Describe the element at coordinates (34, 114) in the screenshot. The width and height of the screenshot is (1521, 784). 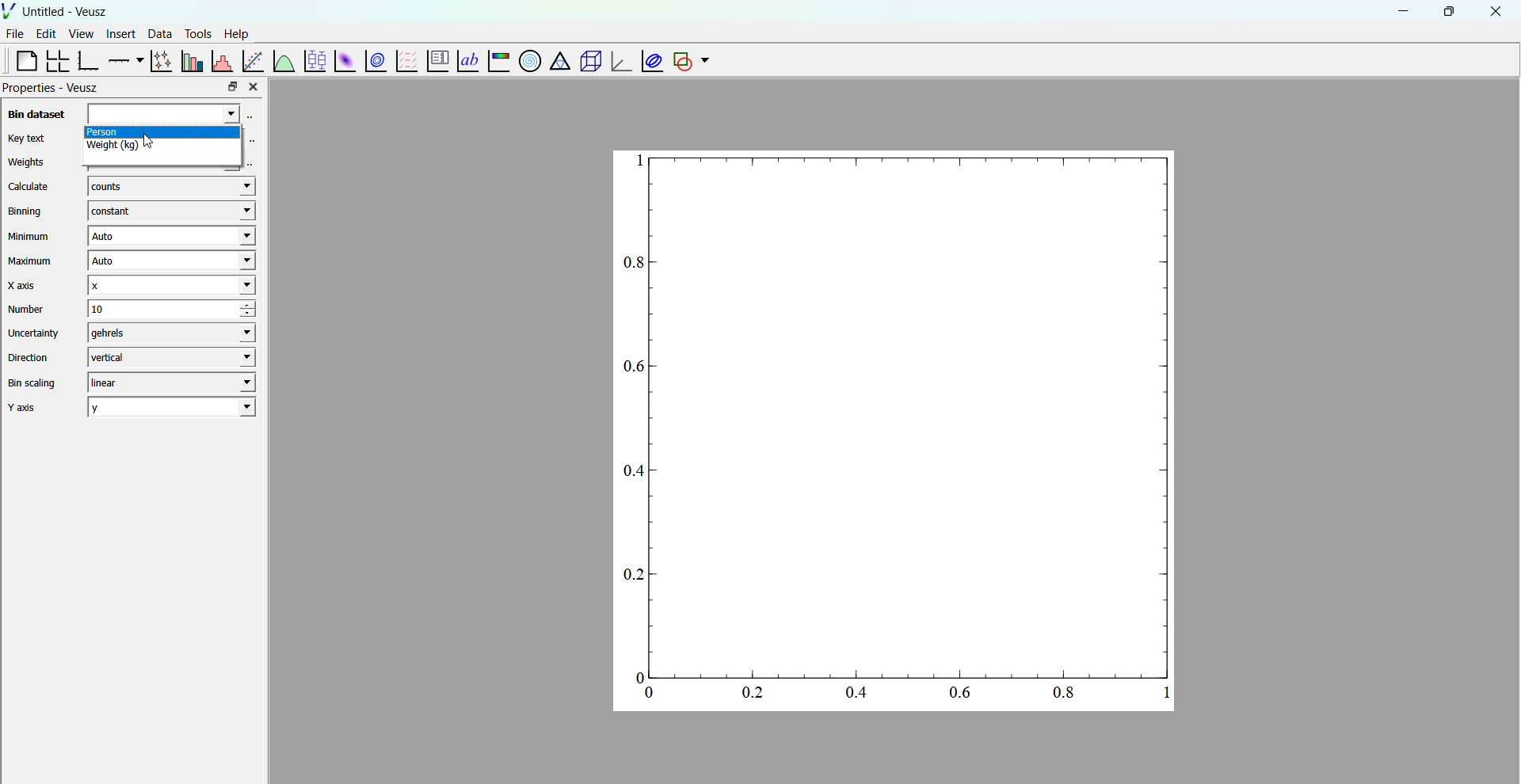
I see `Bin Dataset` at that location.